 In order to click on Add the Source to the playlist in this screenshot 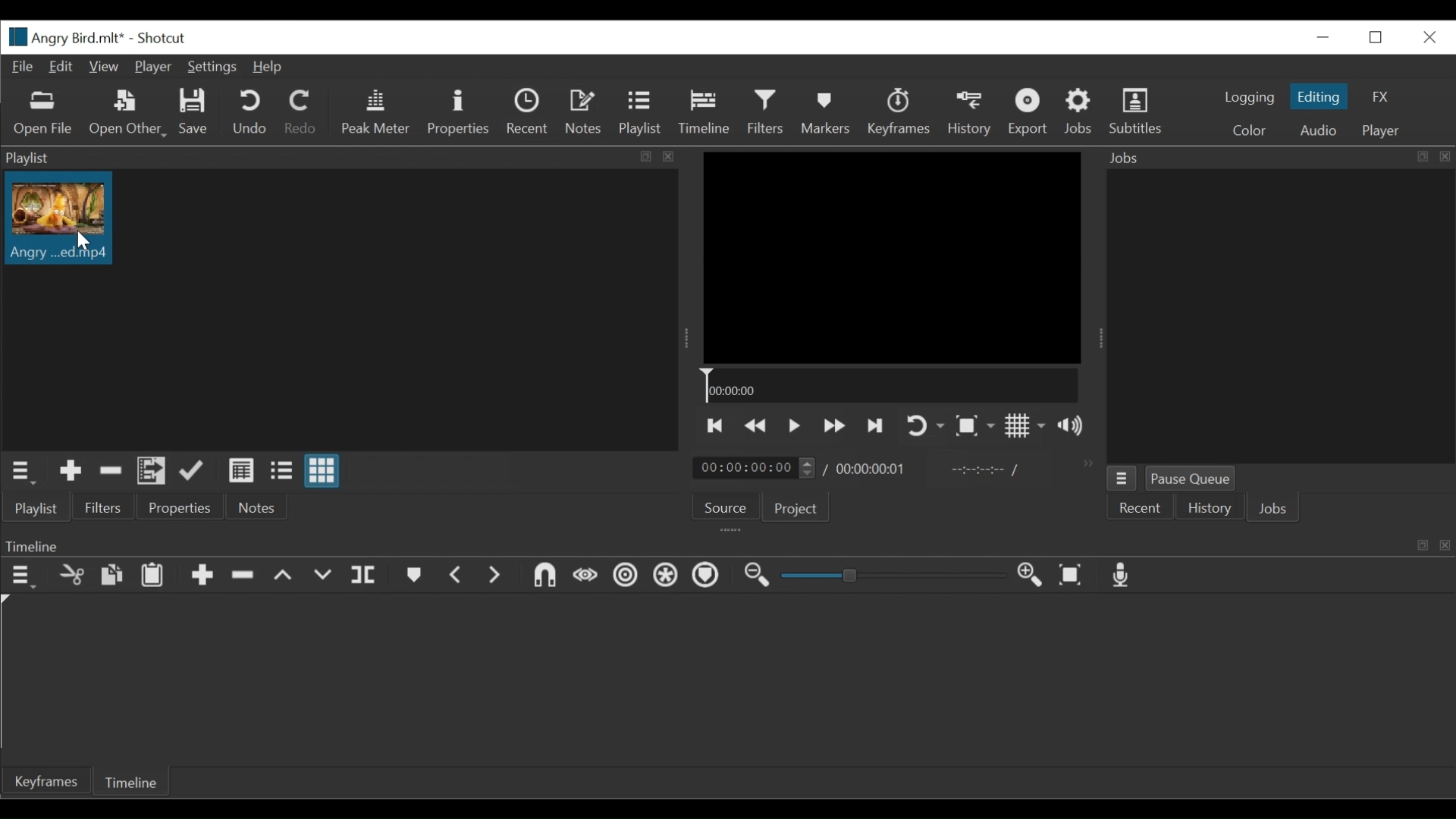, I will do `click(71, 470)`.